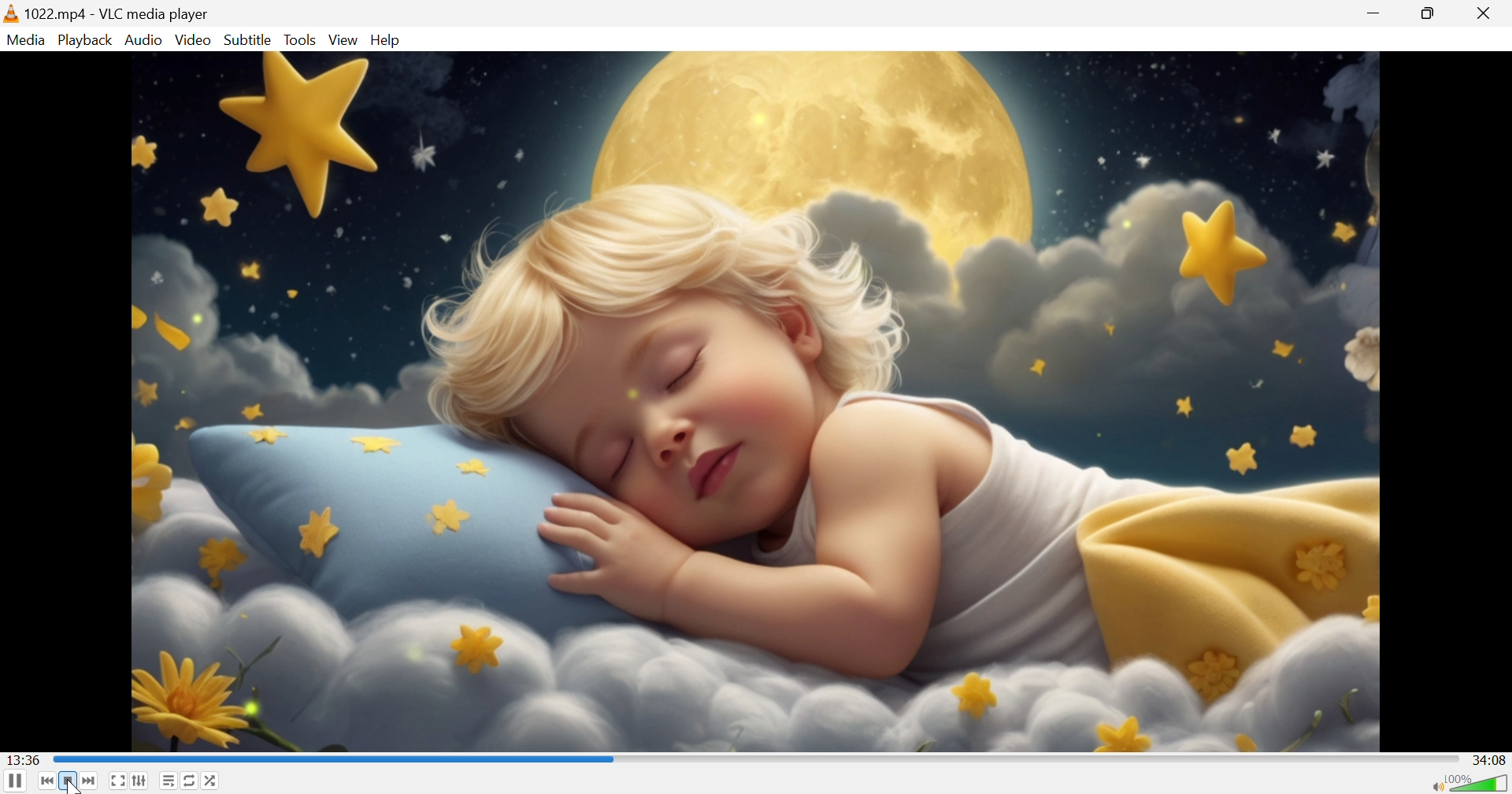 The width and height of the screenshot is (1512, 794). Describe the element at coordinates (1488, 13) in the screenshot. I see `Close` at that location.